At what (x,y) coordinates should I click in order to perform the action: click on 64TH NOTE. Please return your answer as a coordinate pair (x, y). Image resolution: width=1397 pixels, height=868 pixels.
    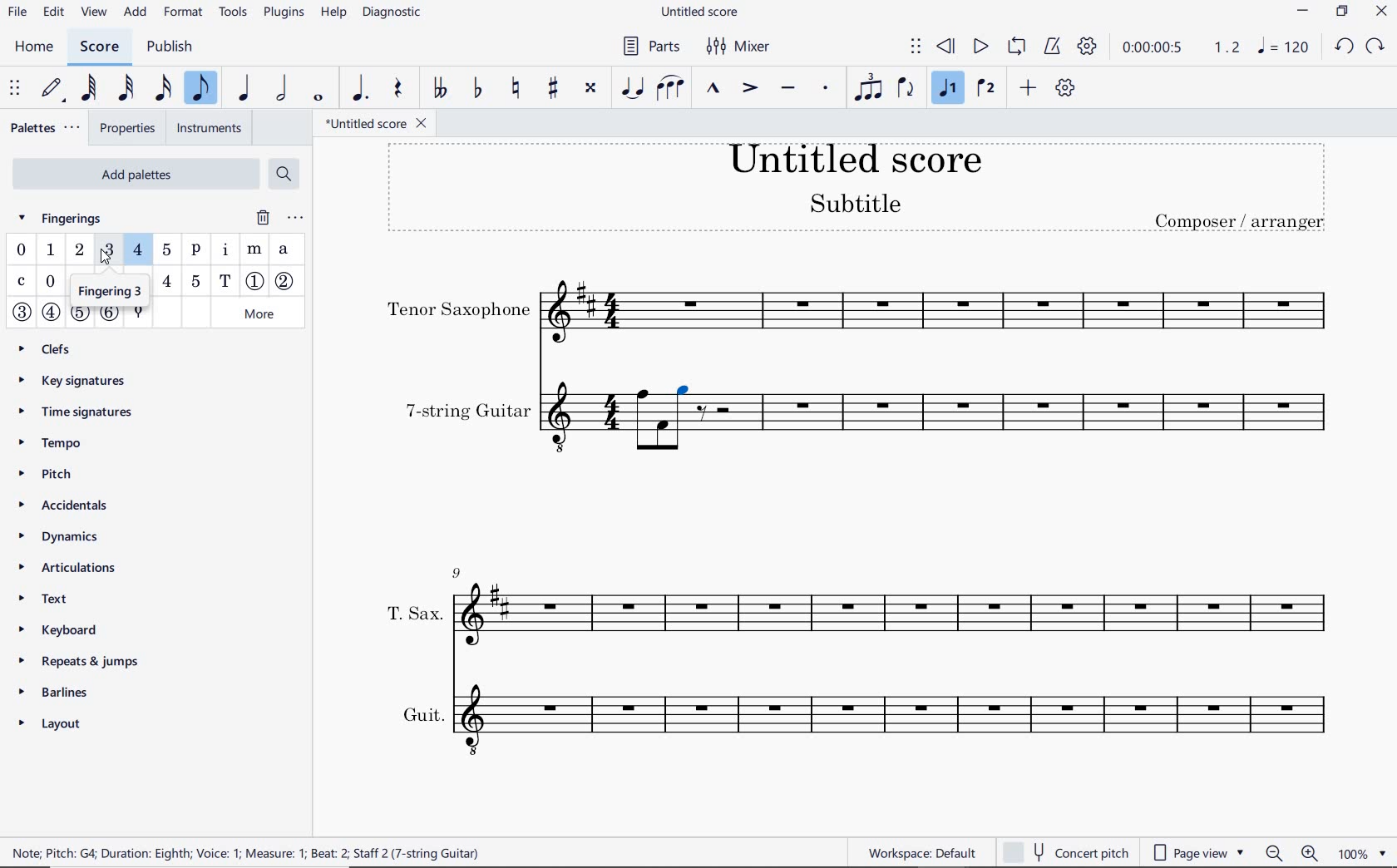
    Looking at the image, I should click on (88, 89).